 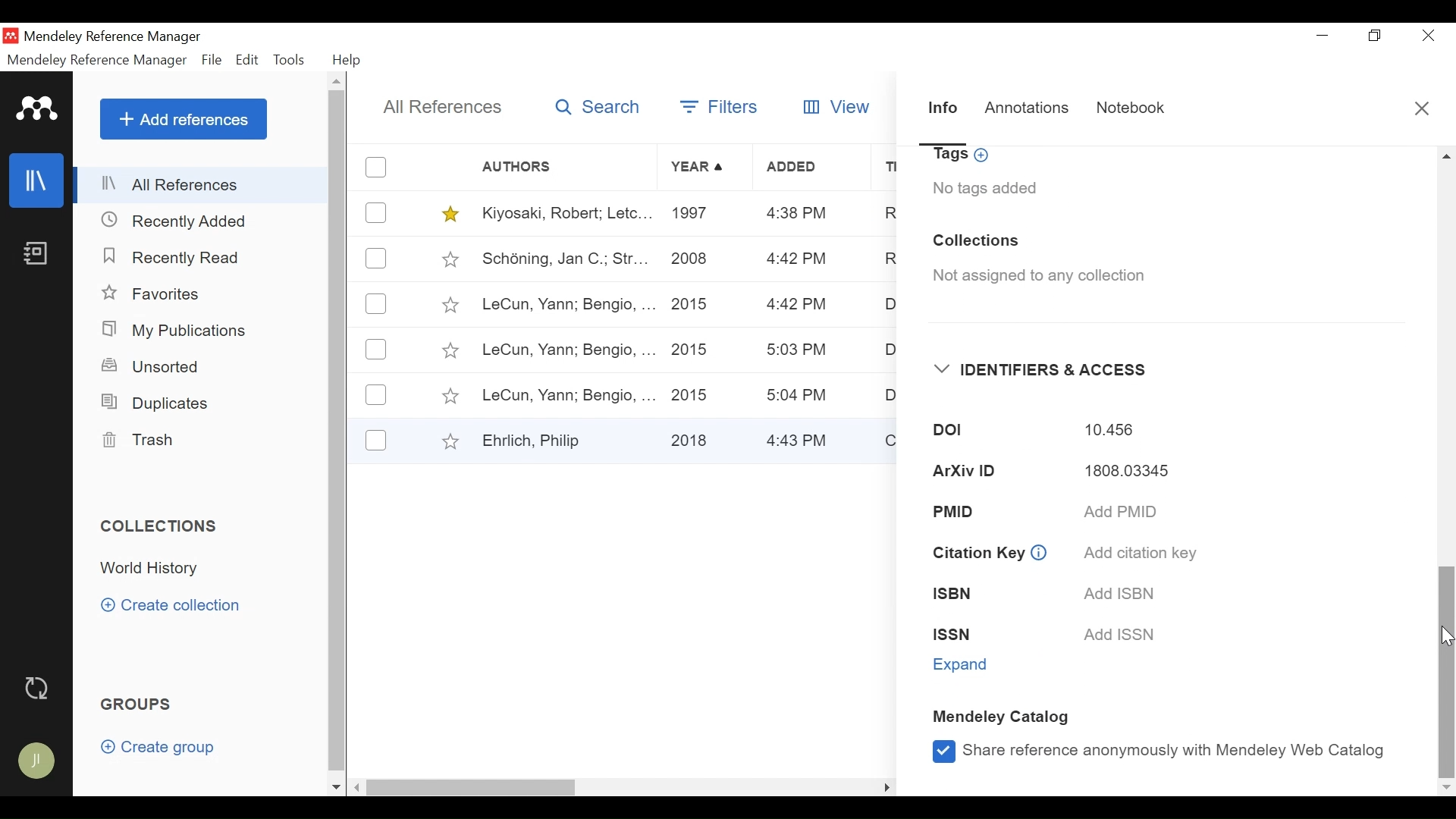 I want to click on ArXiv ID, so click(x=959, y=472).